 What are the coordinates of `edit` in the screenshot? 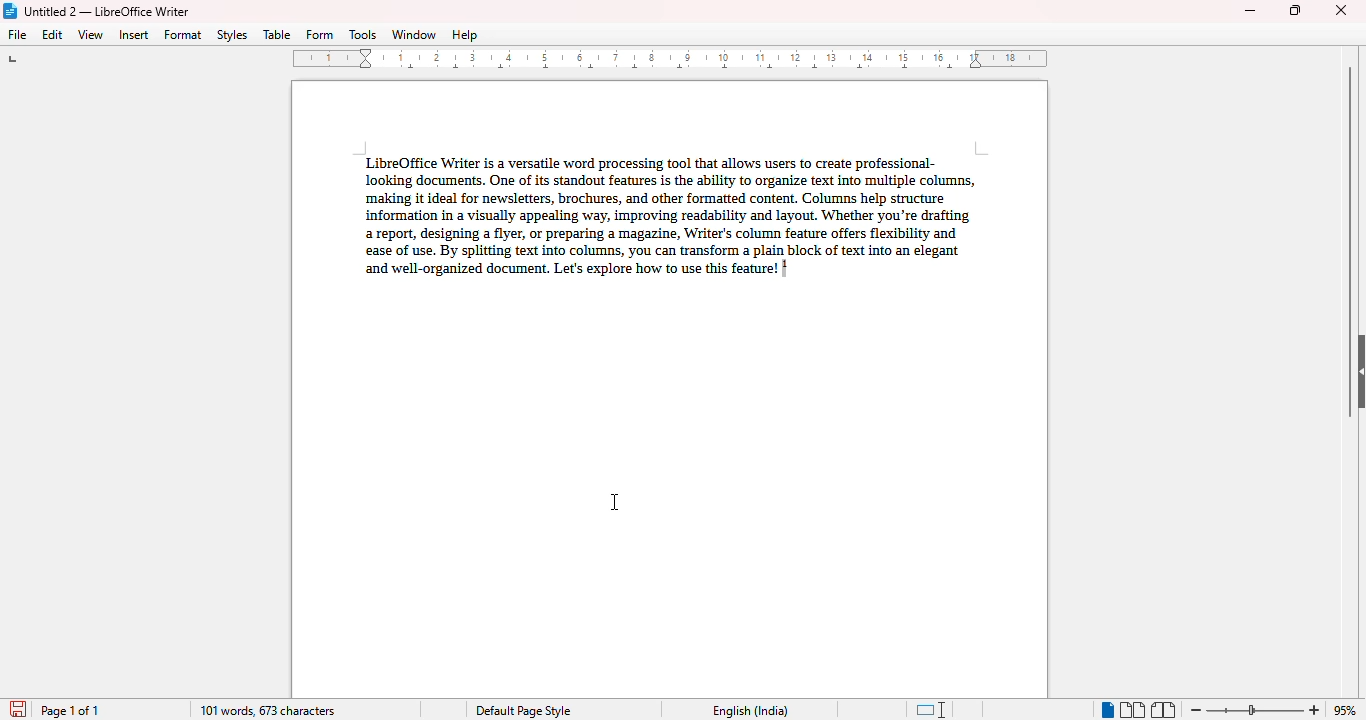 It's located at (54, 34).